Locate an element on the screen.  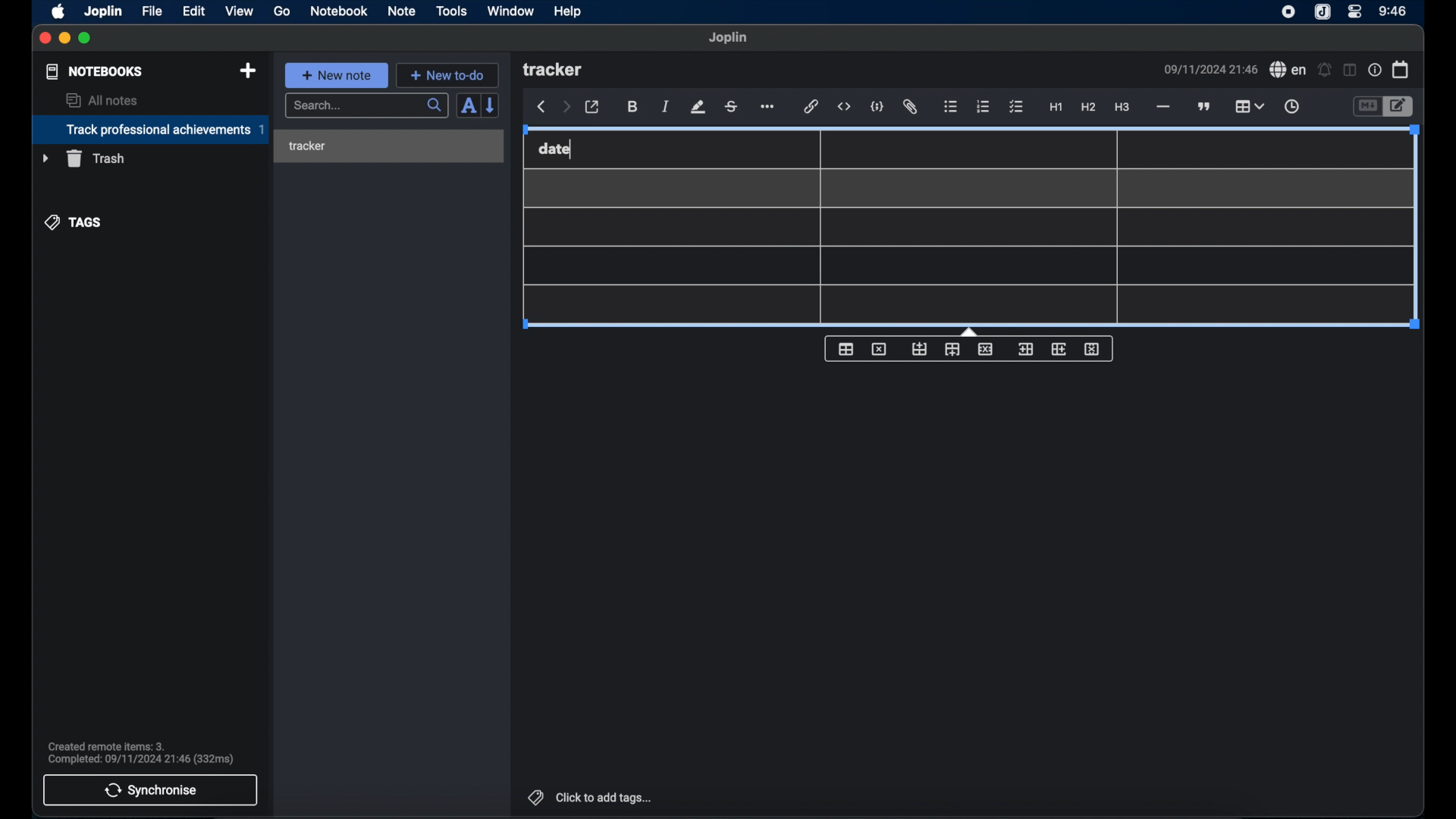
toggle external editor is located at coordinates (592, 107).